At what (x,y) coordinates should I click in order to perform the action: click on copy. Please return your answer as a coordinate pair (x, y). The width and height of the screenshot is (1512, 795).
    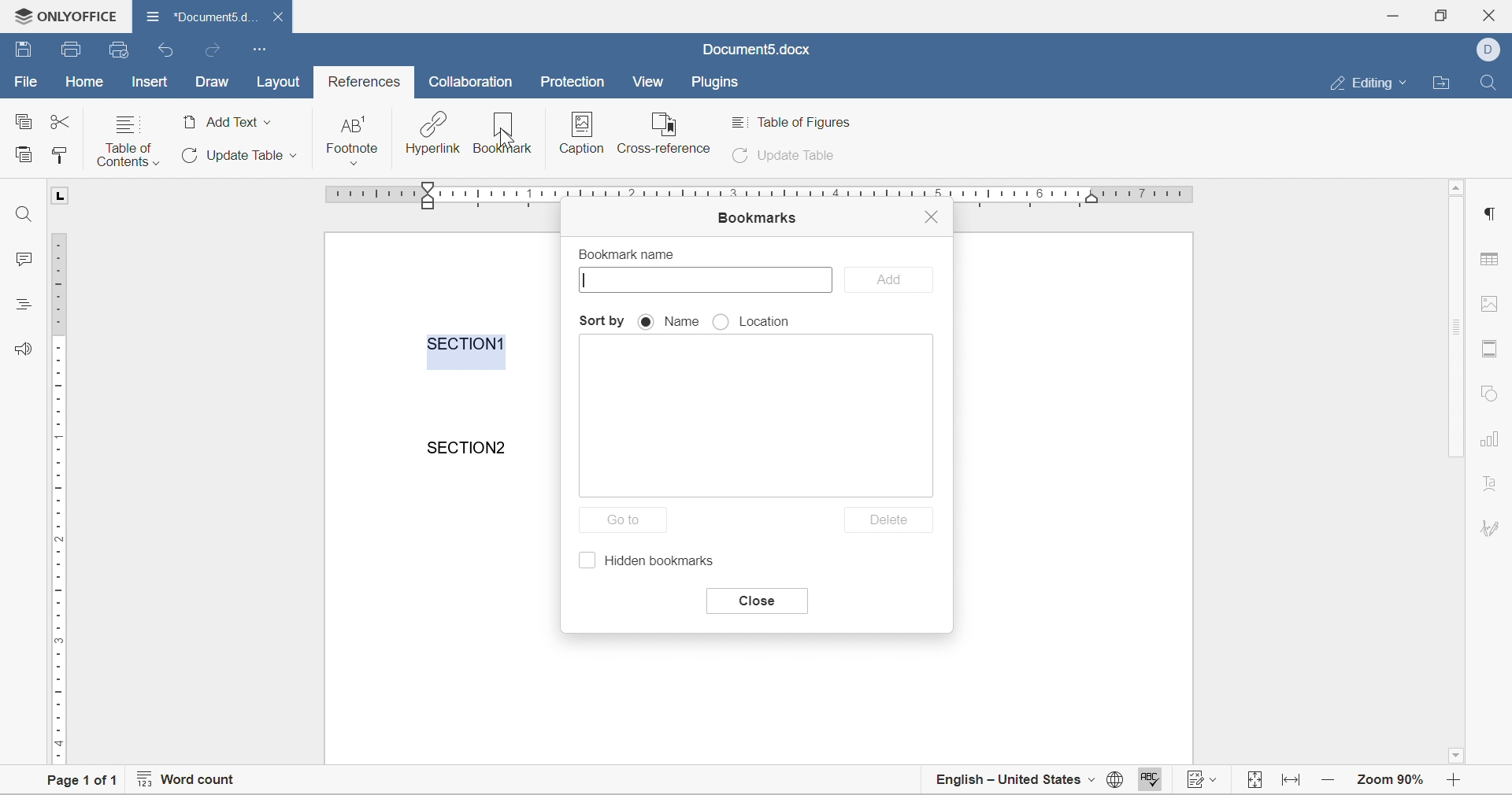
    Looking at the image, I should click on (22, 120).